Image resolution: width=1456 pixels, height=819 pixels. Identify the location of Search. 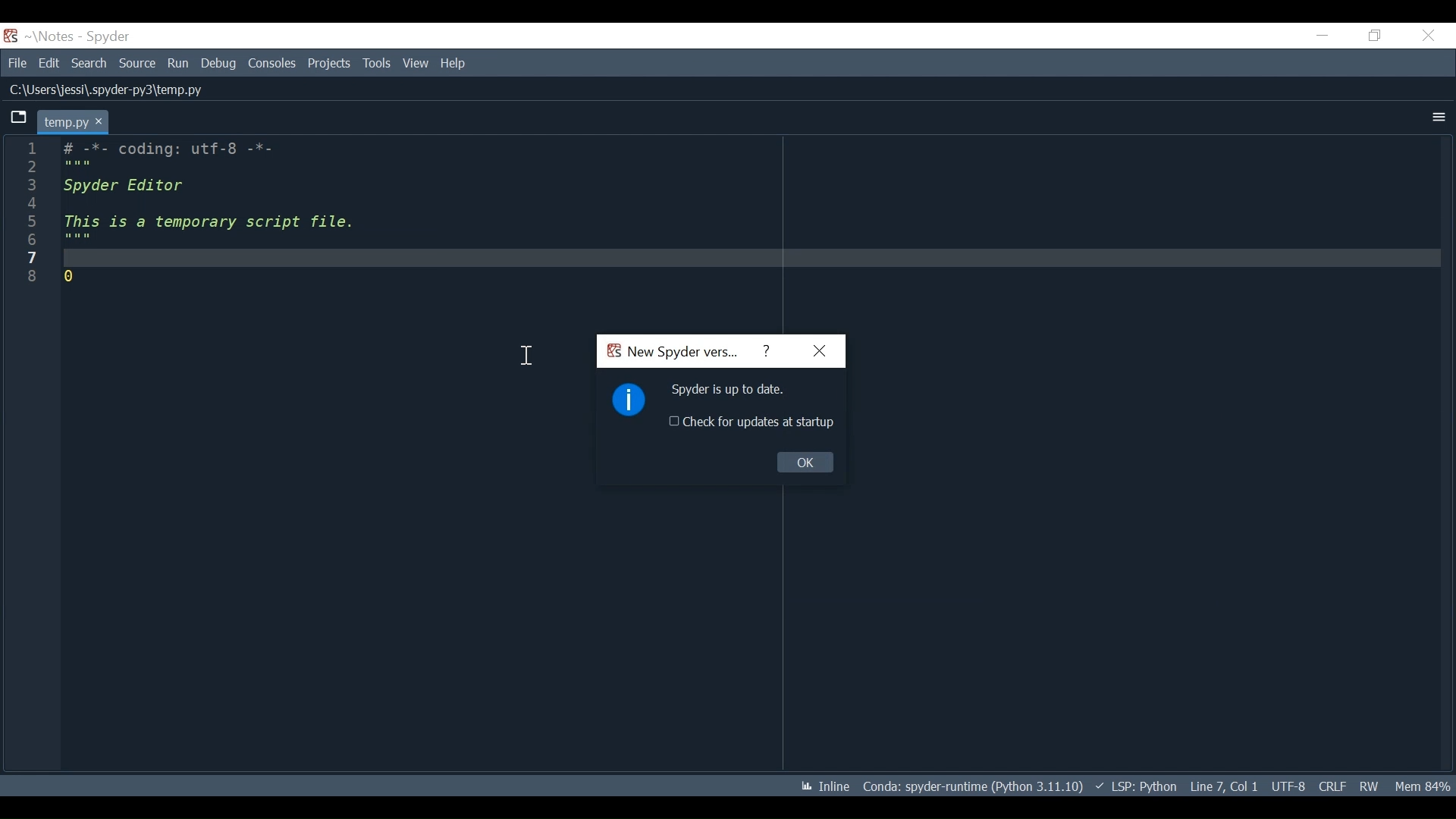
(90, 62).